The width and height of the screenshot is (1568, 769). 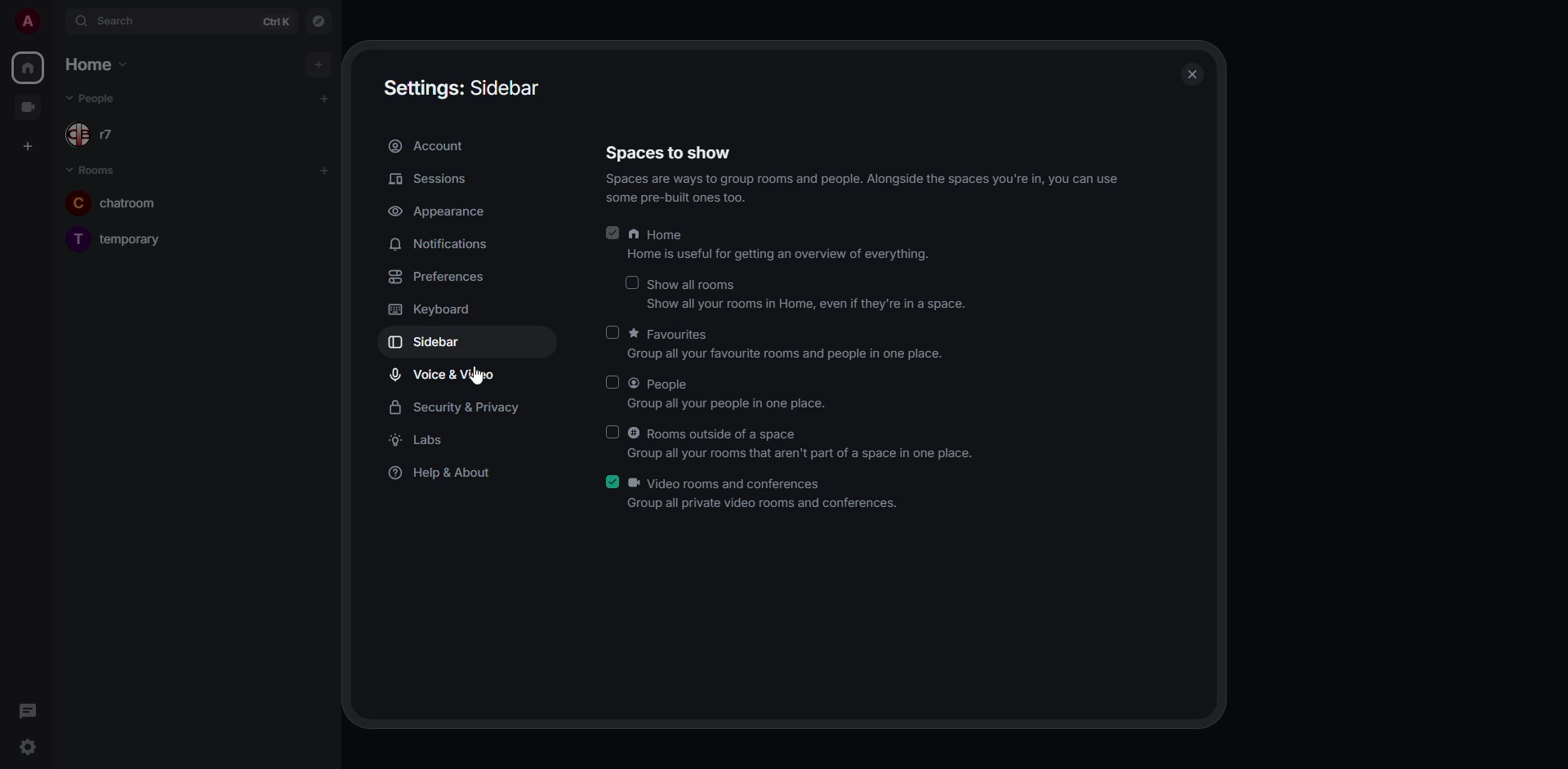 What do you see at coordinates (114, 203) in the screenshot?
I see `room` at bounding box center [114, 203].